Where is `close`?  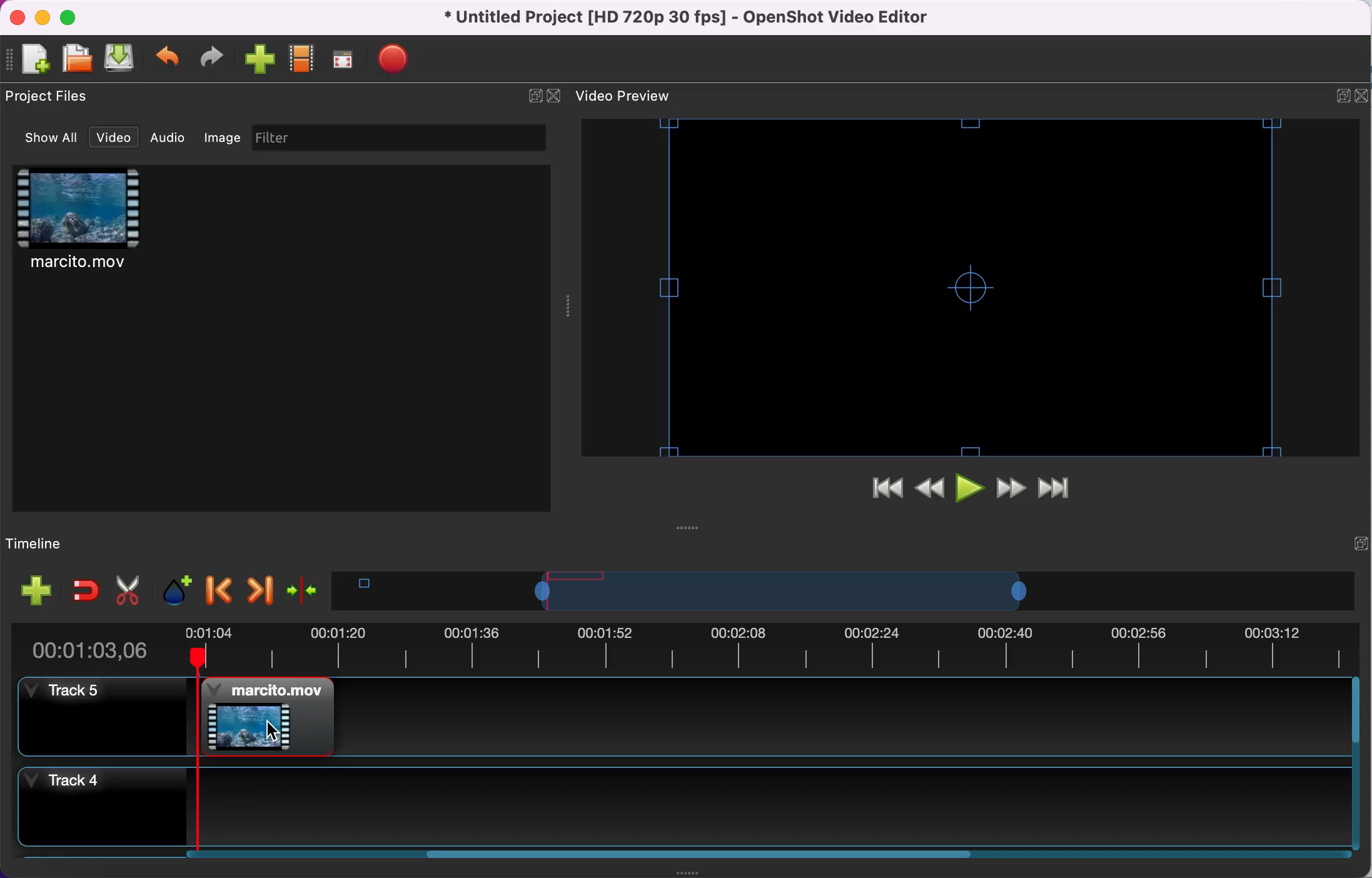
close is located at coordinates (1363, 96).